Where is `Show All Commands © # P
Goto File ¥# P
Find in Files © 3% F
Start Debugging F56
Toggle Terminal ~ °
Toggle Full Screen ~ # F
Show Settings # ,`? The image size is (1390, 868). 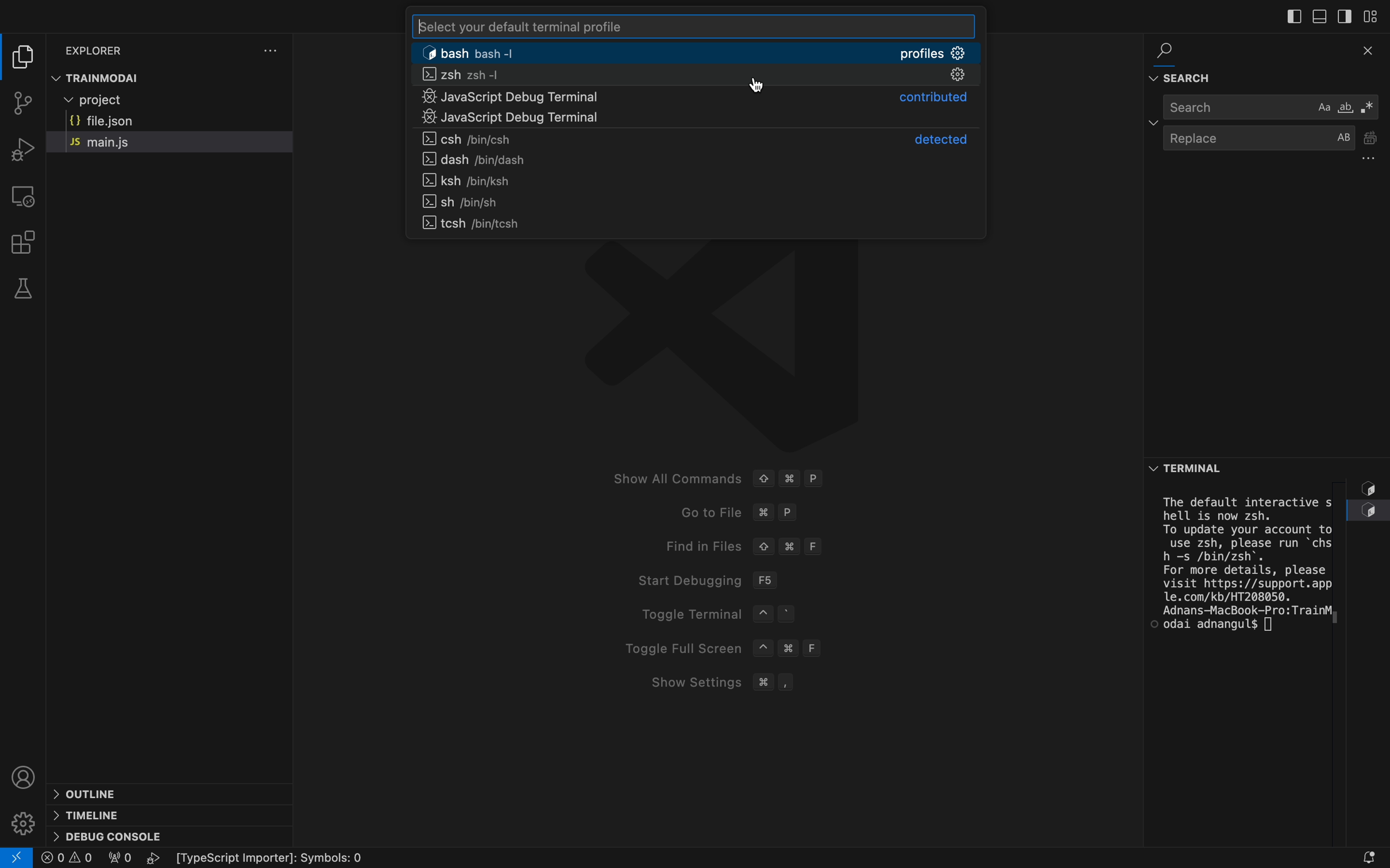 Show All Commands © # P
Goto File ¥# P
Find in Files © 3% F
Start Debugging F56
Toggle Terminal ~ °
Toggle Full Screen ~ # F
Show Settings # , is located at coordinates (762, 478).